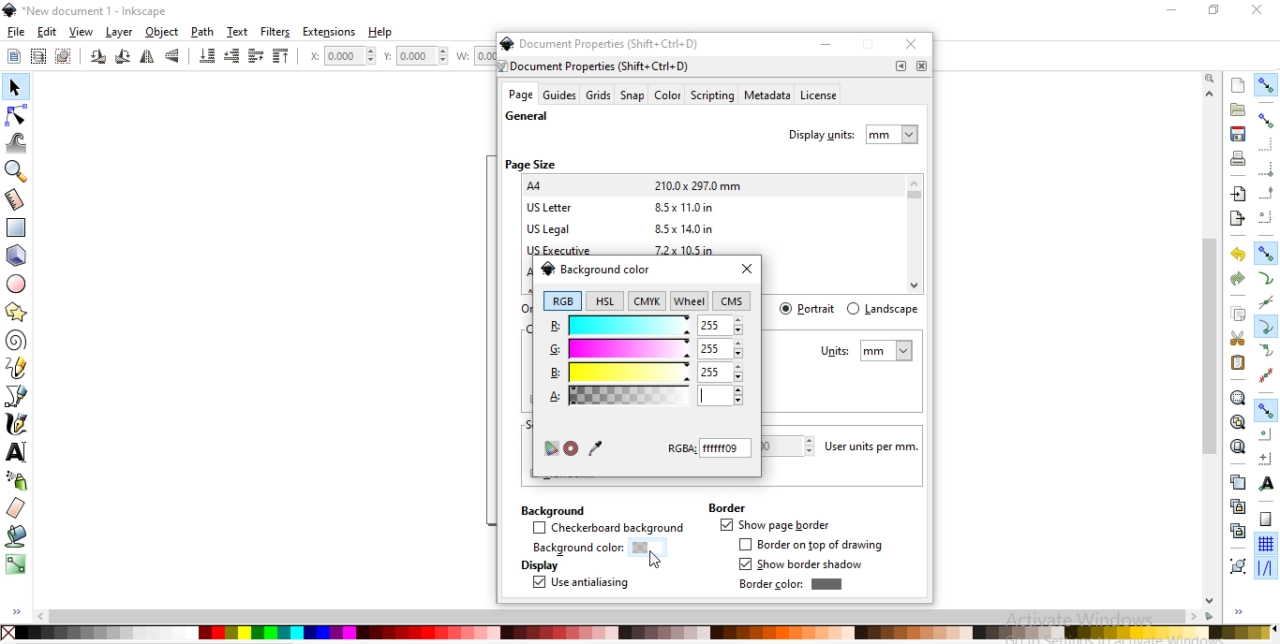  I want to click on zoom to fit drawing, so click(1237, 423).